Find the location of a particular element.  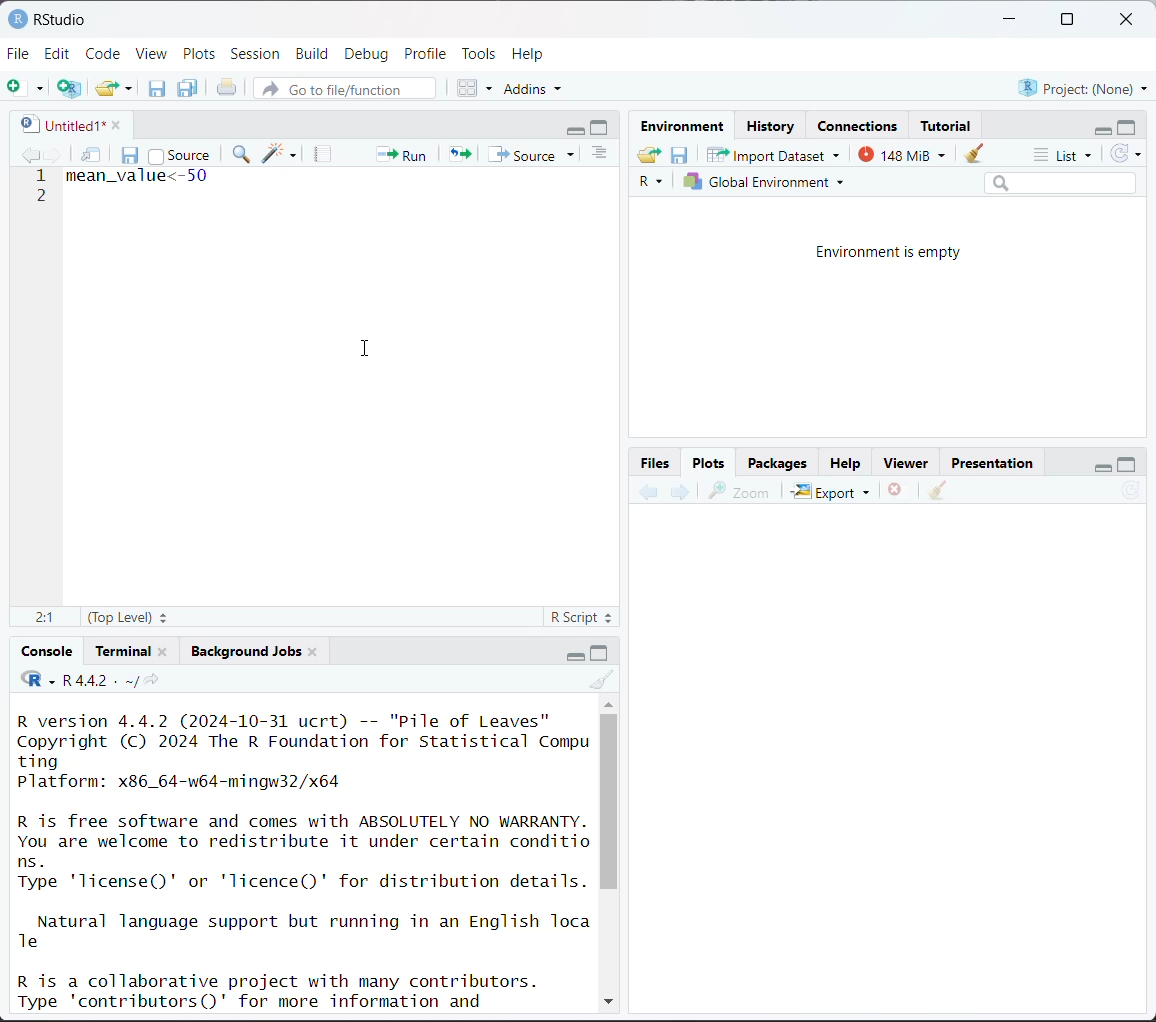

addins is located at coordinates (536, 88).